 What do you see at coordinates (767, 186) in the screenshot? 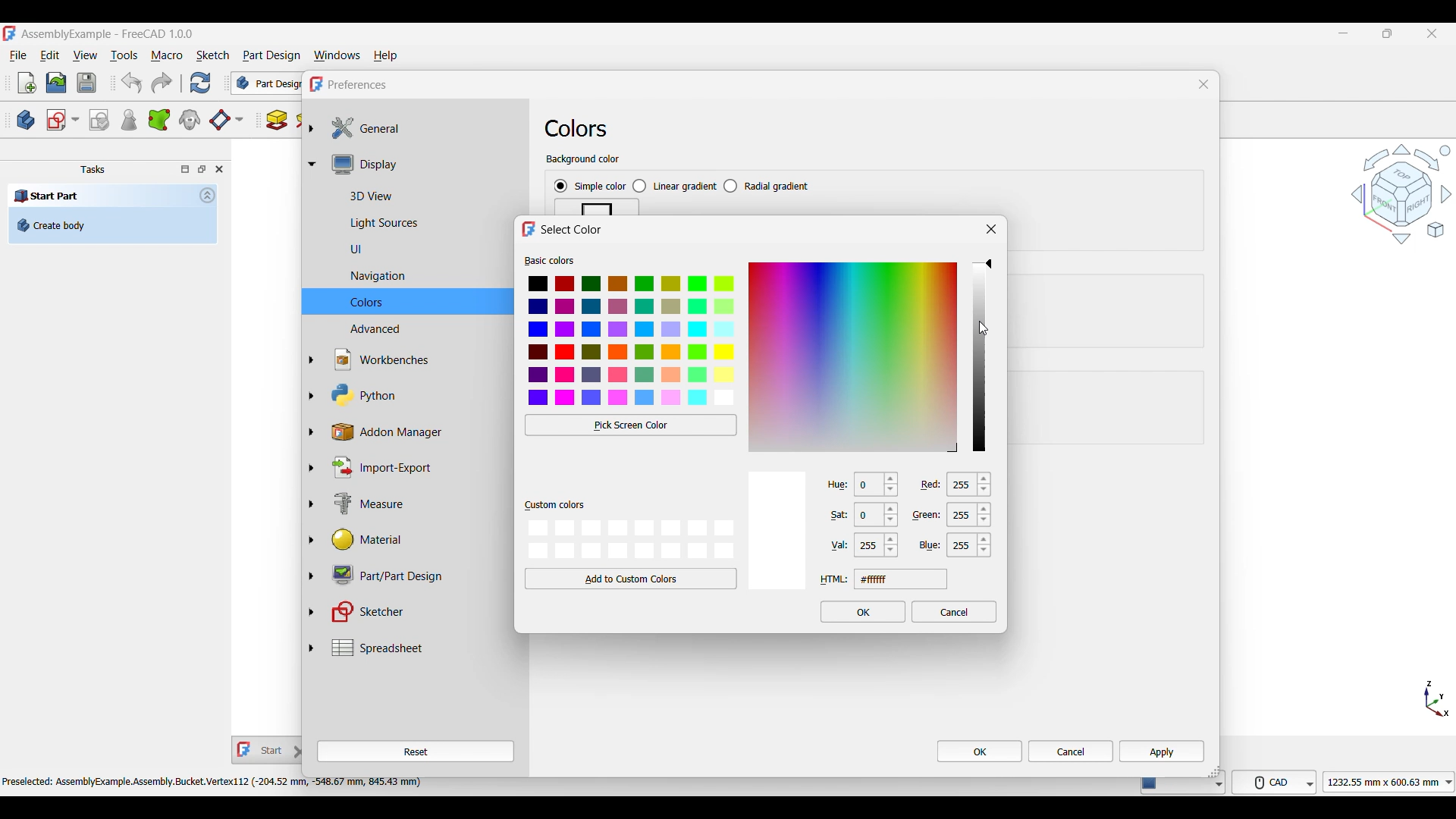
I see `Radial gradient toggle` at bounding box center [767, 186].